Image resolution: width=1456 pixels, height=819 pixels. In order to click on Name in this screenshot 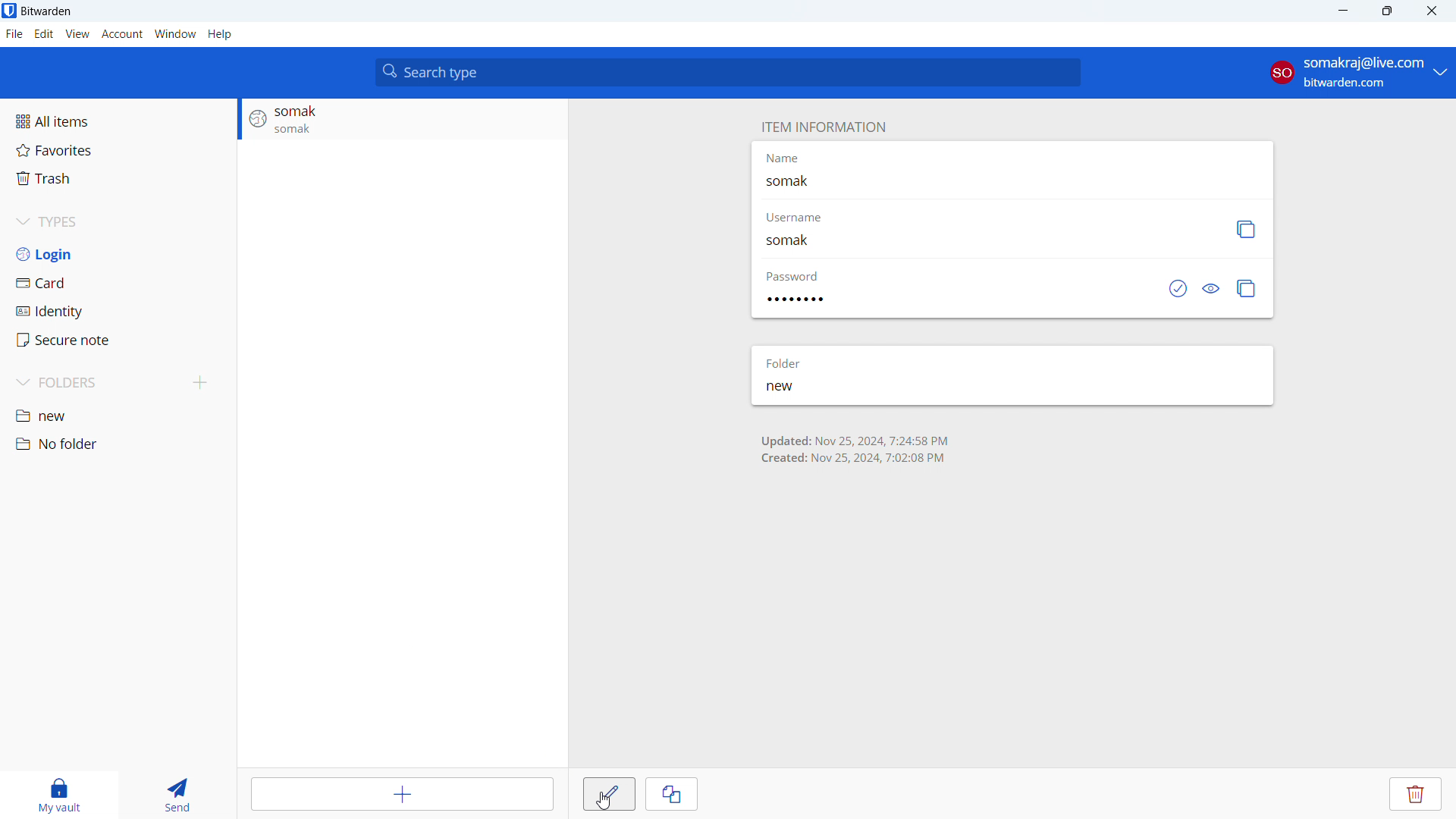, I will do `click(782, 158)`.